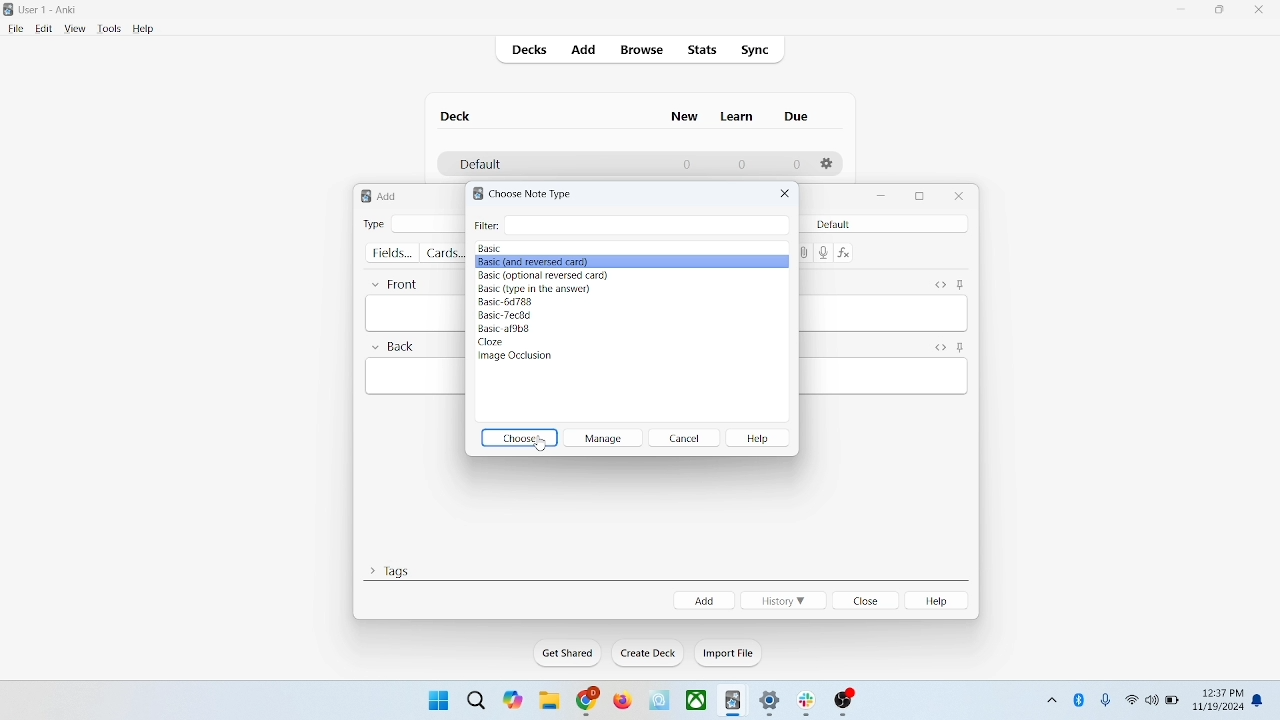 This screenshot has height=720, width=1280. What do you see at coordinates (392, 349) in the screenshot?
I see `back` at bounding box center [392, 349].